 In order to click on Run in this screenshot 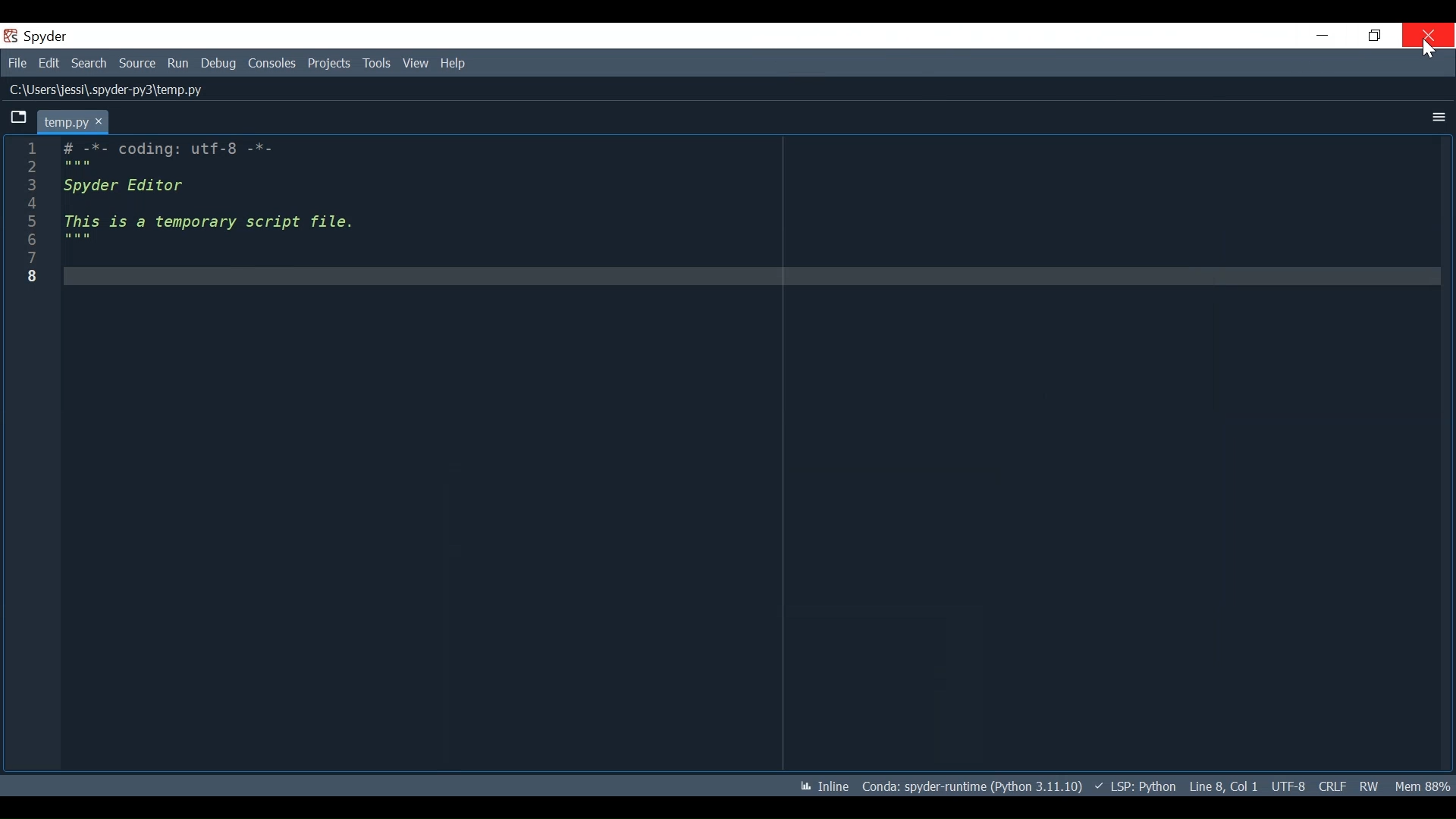, I will do `click(179, 63)`.